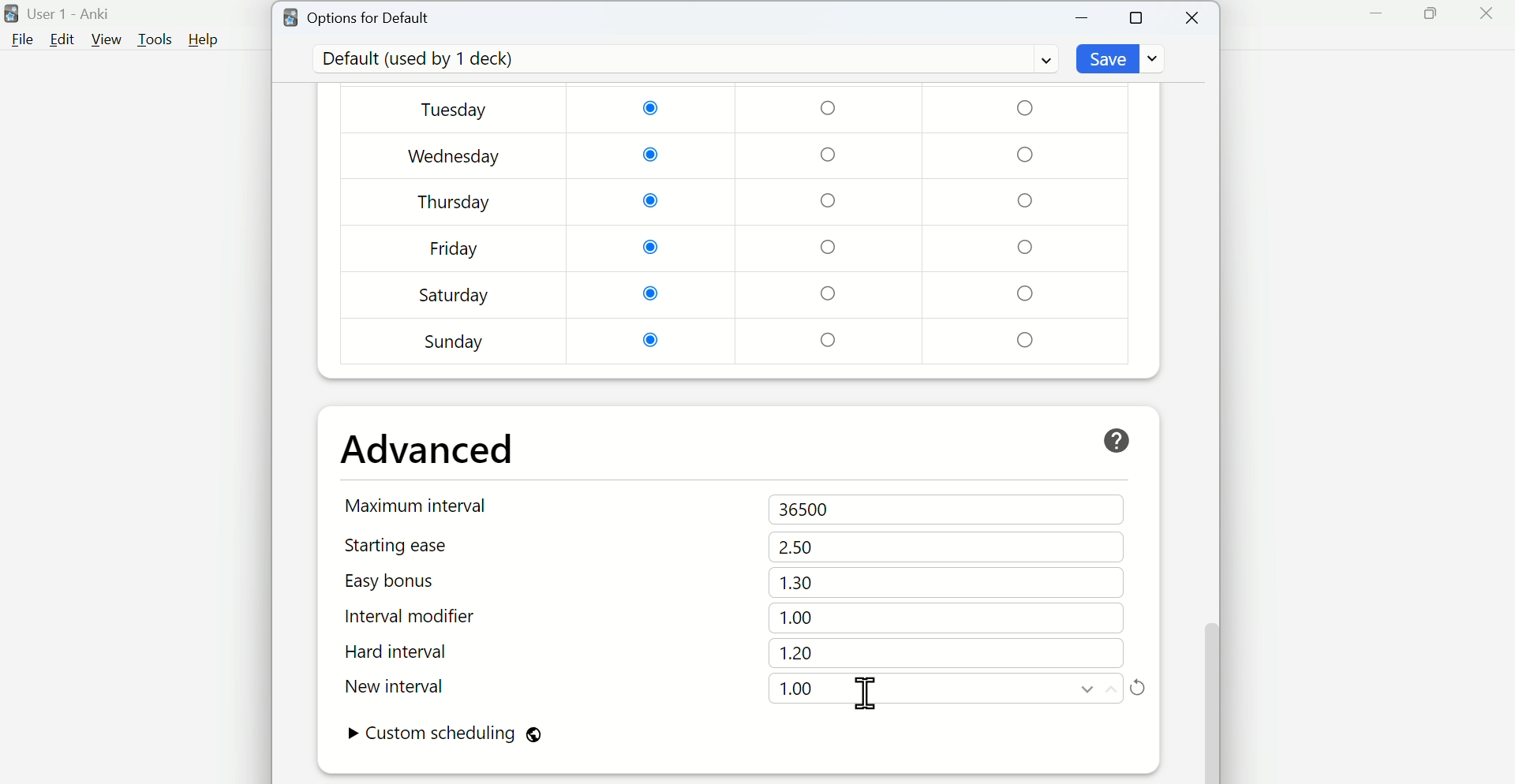 The image size is (1515, 784). I want to click on 1.20, so click(796, 653).